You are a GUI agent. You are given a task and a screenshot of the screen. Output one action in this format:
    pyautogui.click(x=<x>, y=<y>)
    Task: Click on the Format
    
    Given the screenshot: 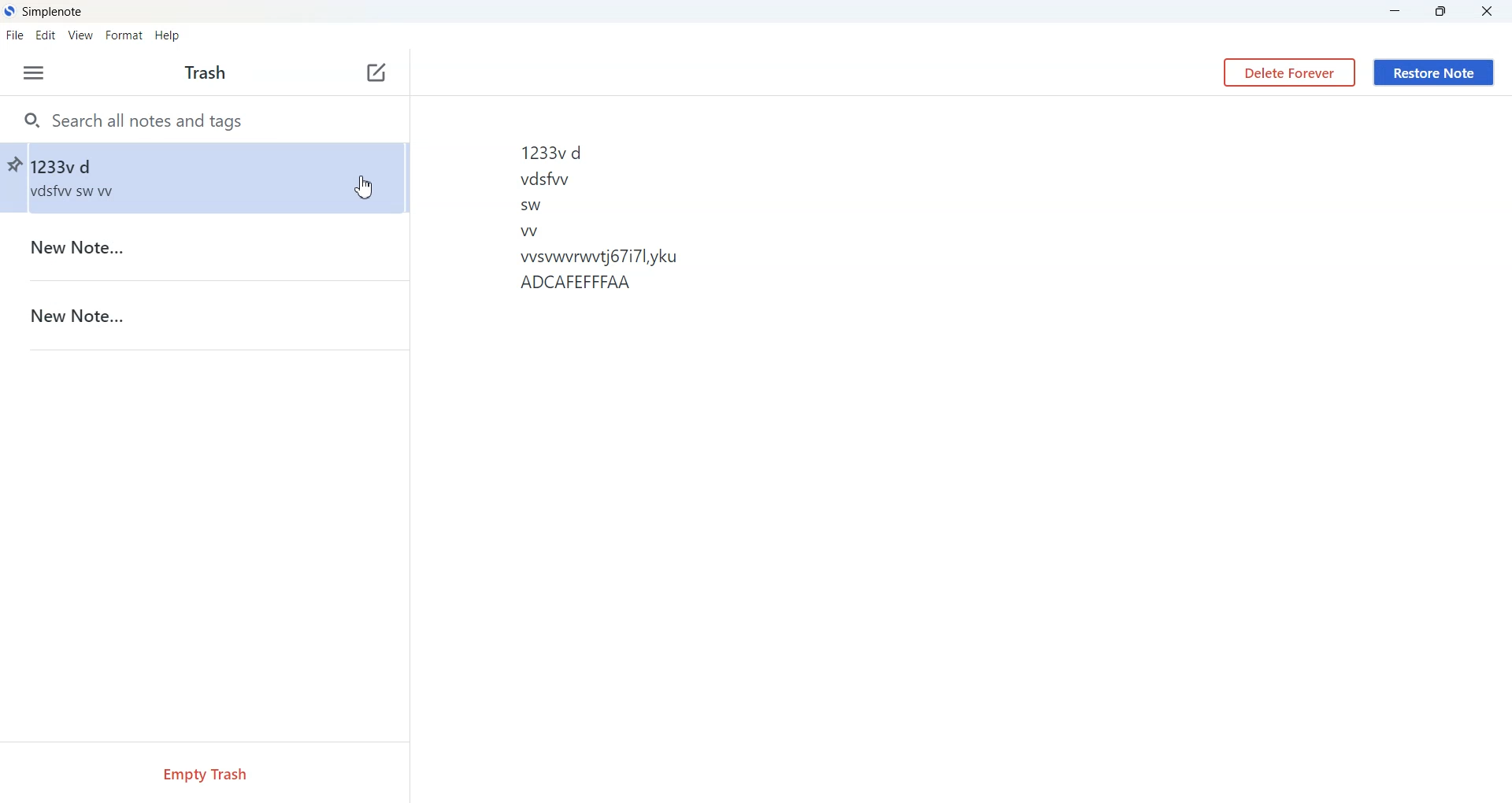 What is the action you would take?
    pyautogui.click(x=124, y=34)
    